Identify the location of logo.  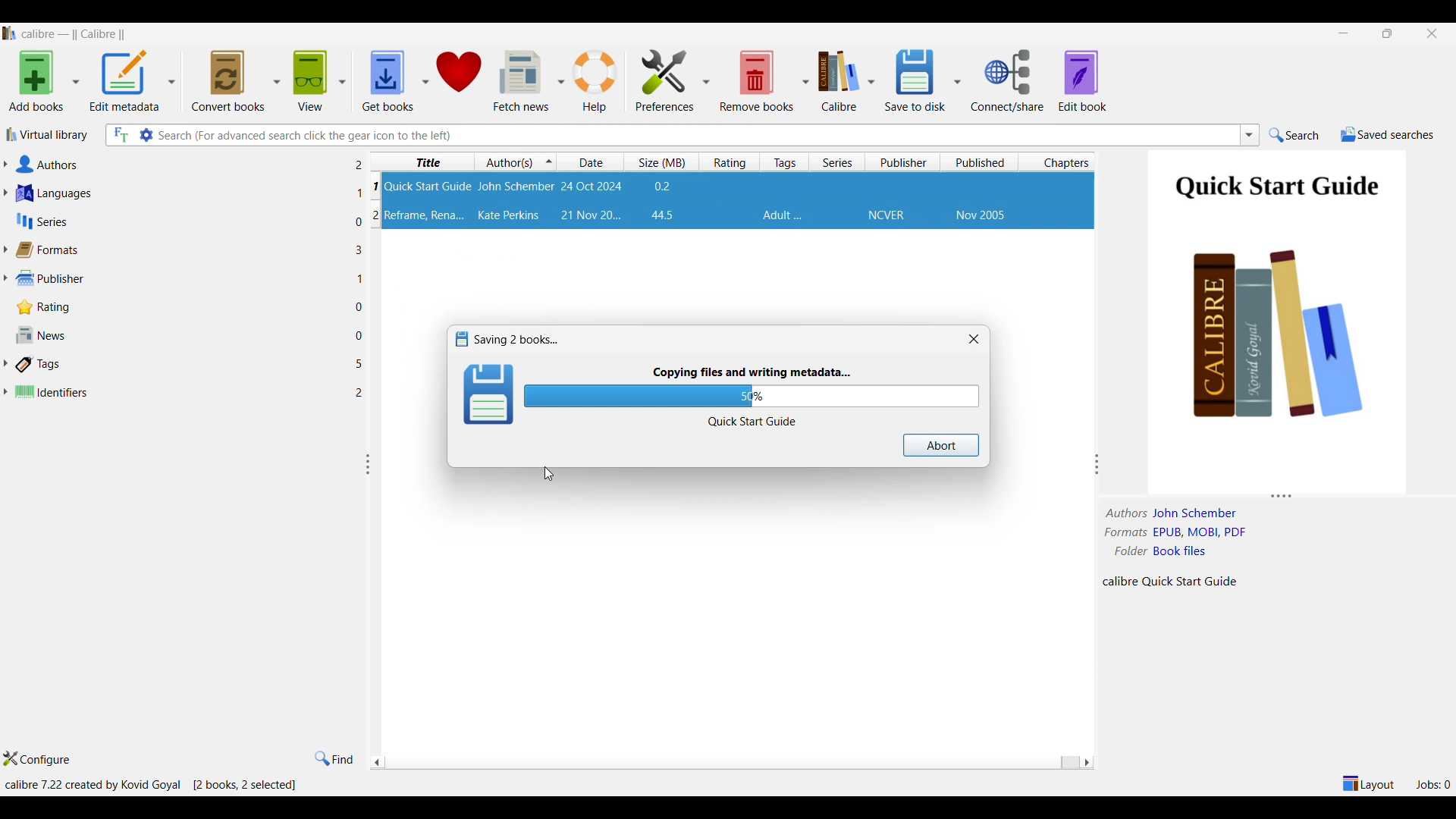
(460, 337).